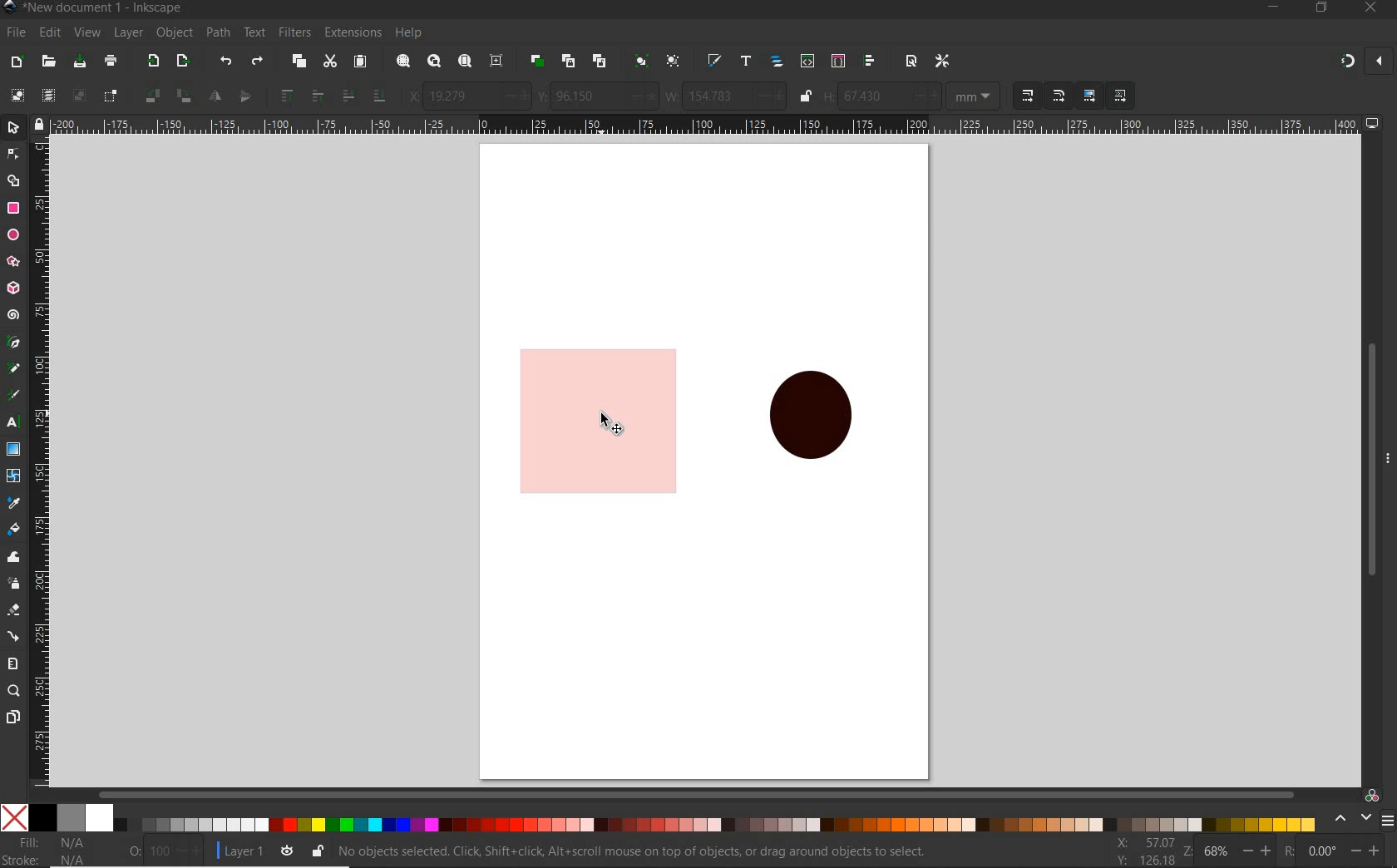 The width and height of the screenshot is (1397, 868). Describe the element at coordinates (1027, 96) in the screenshot. I see `when scaling objects` at that location.